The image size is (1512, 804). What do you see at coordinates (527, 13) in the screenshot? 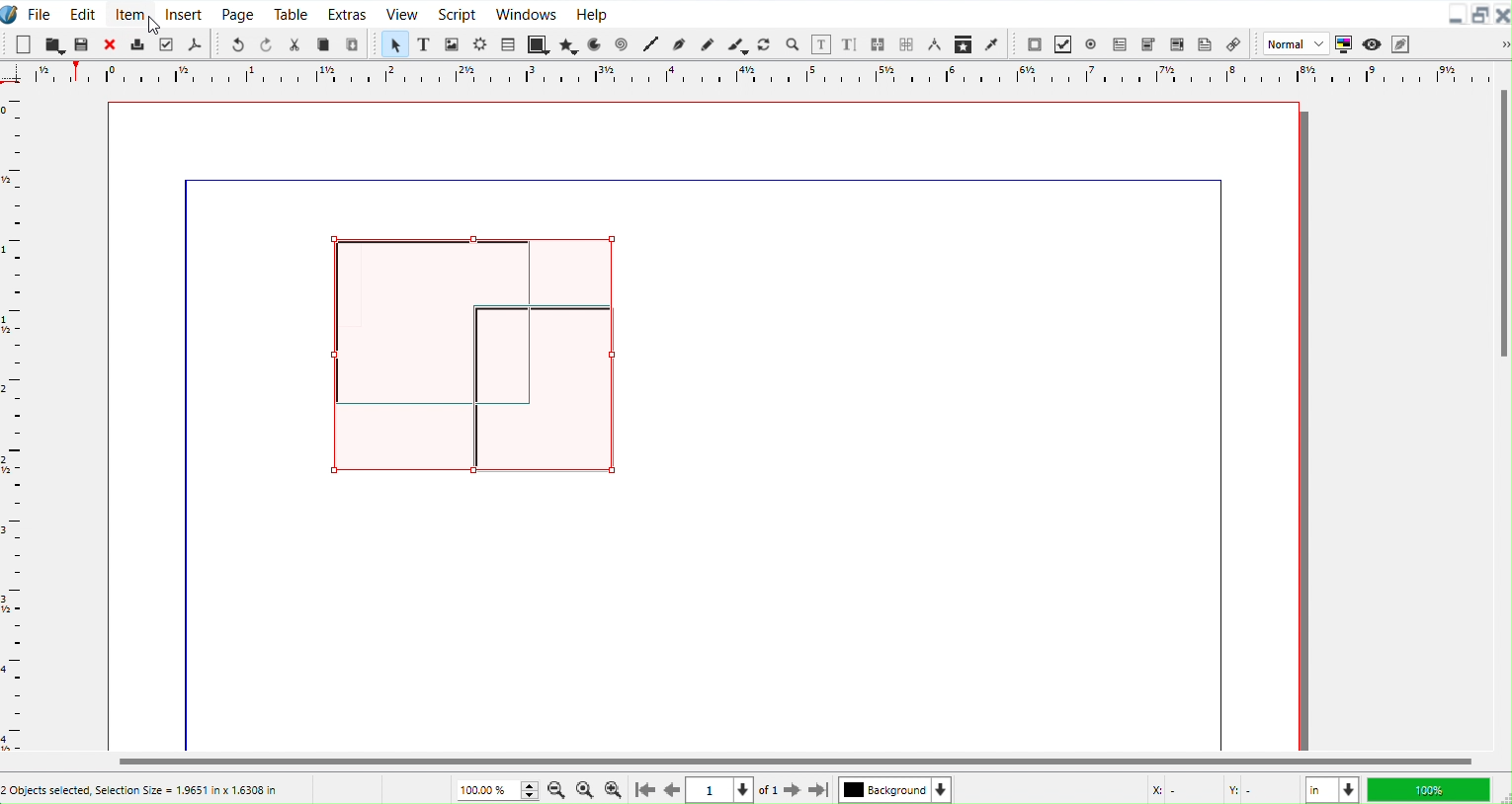
I see `Window` at bounding box center [527, 13].